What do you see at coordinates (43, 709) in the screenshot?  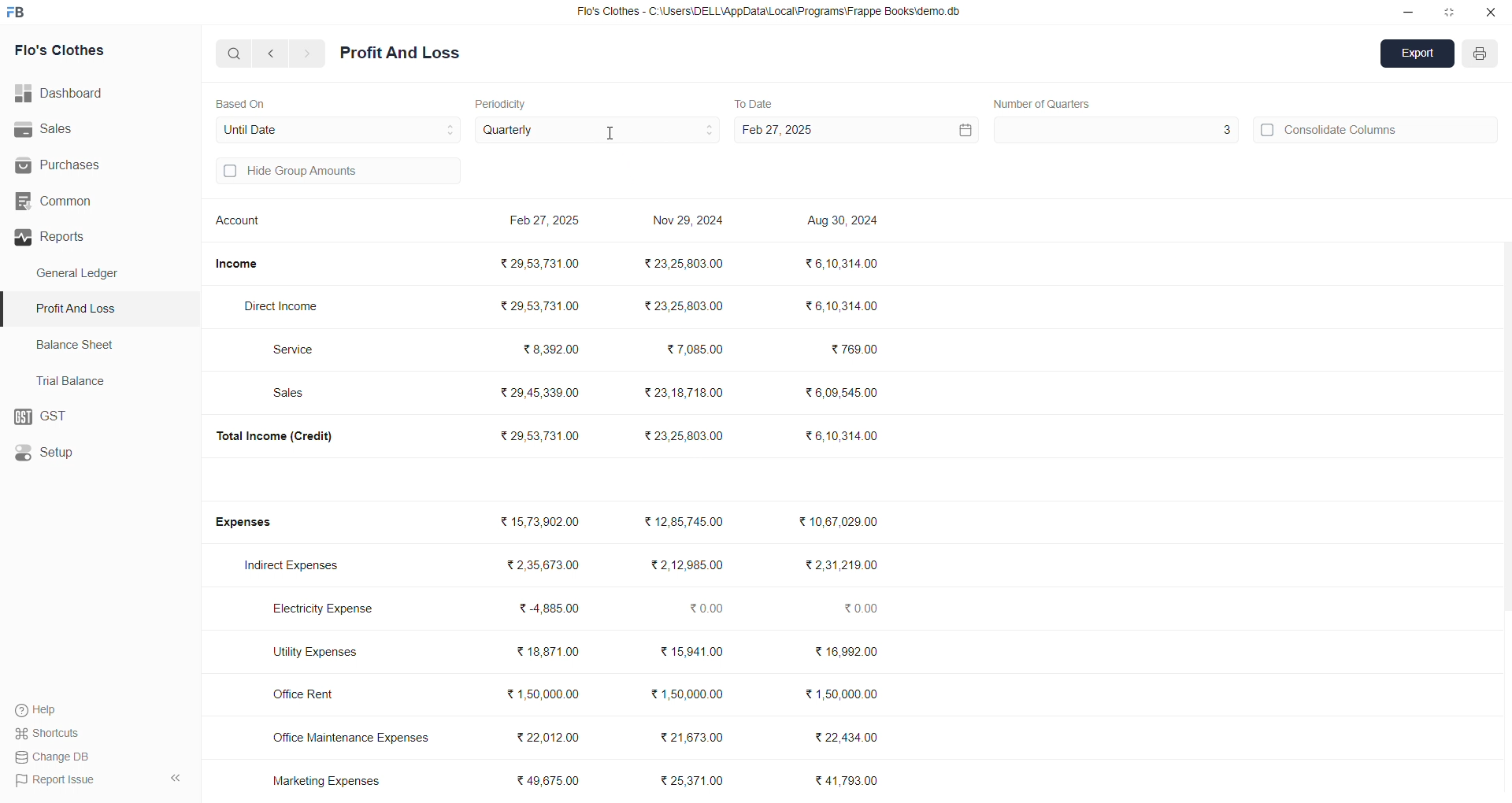 I see `Help` at bounding box center [43, 709].